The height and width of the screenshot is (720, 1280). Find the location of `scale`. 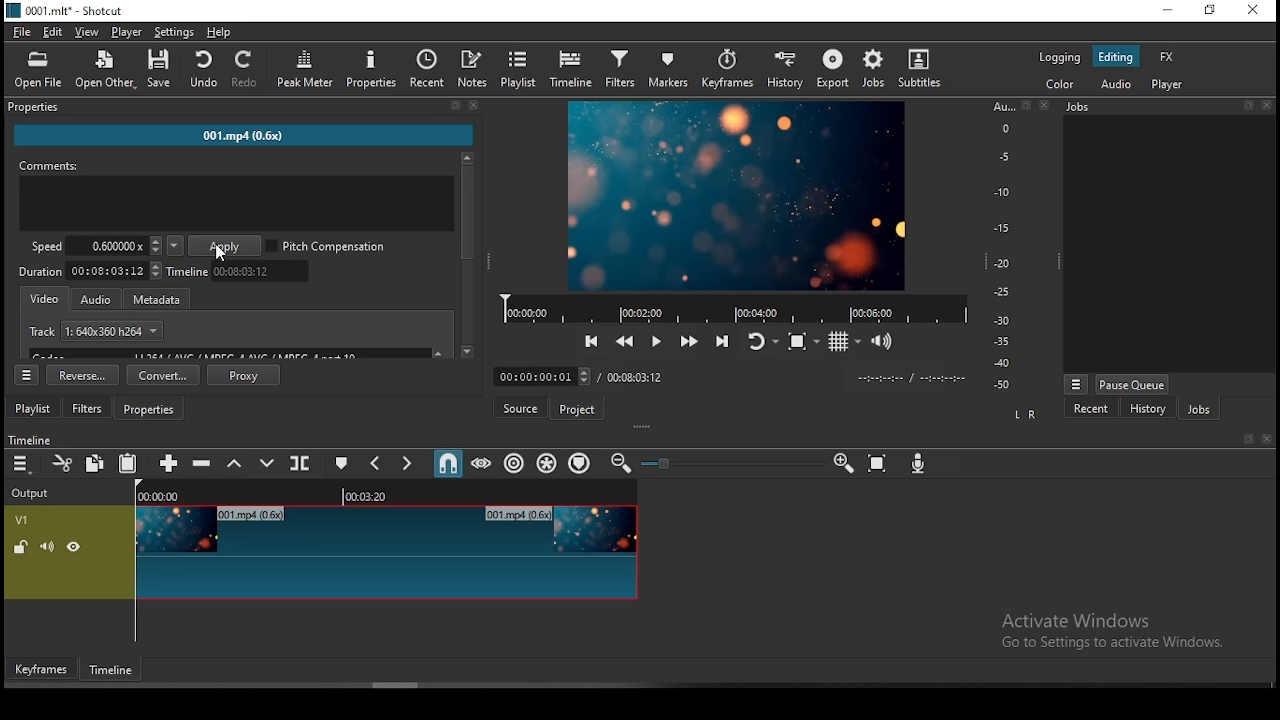

scale is located at coordinates (1001, 246).